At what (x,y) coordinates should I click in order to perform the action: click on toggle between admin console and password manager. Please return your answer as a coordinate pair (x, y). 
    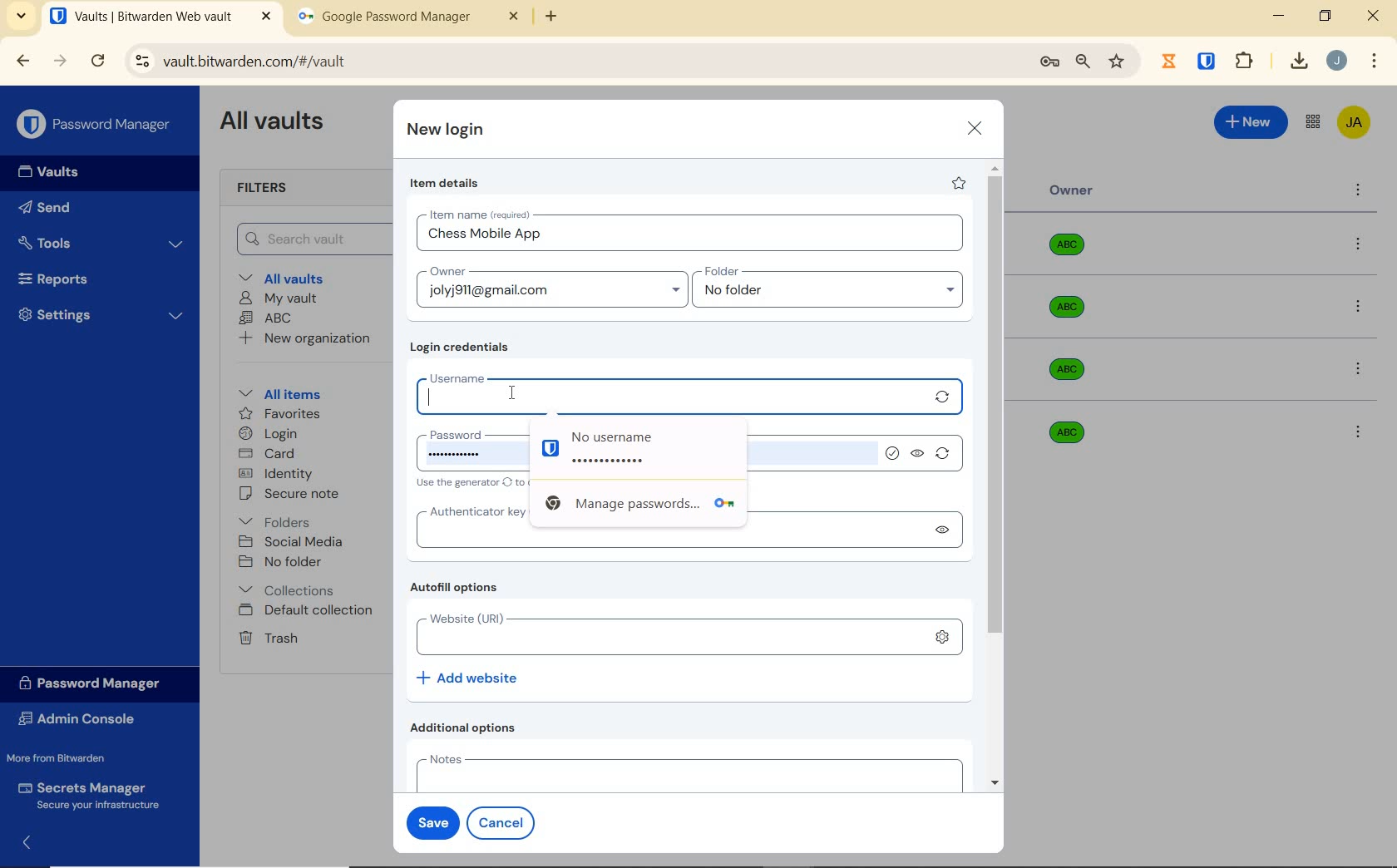
    Looking at the image, I should click on (1311, 123).